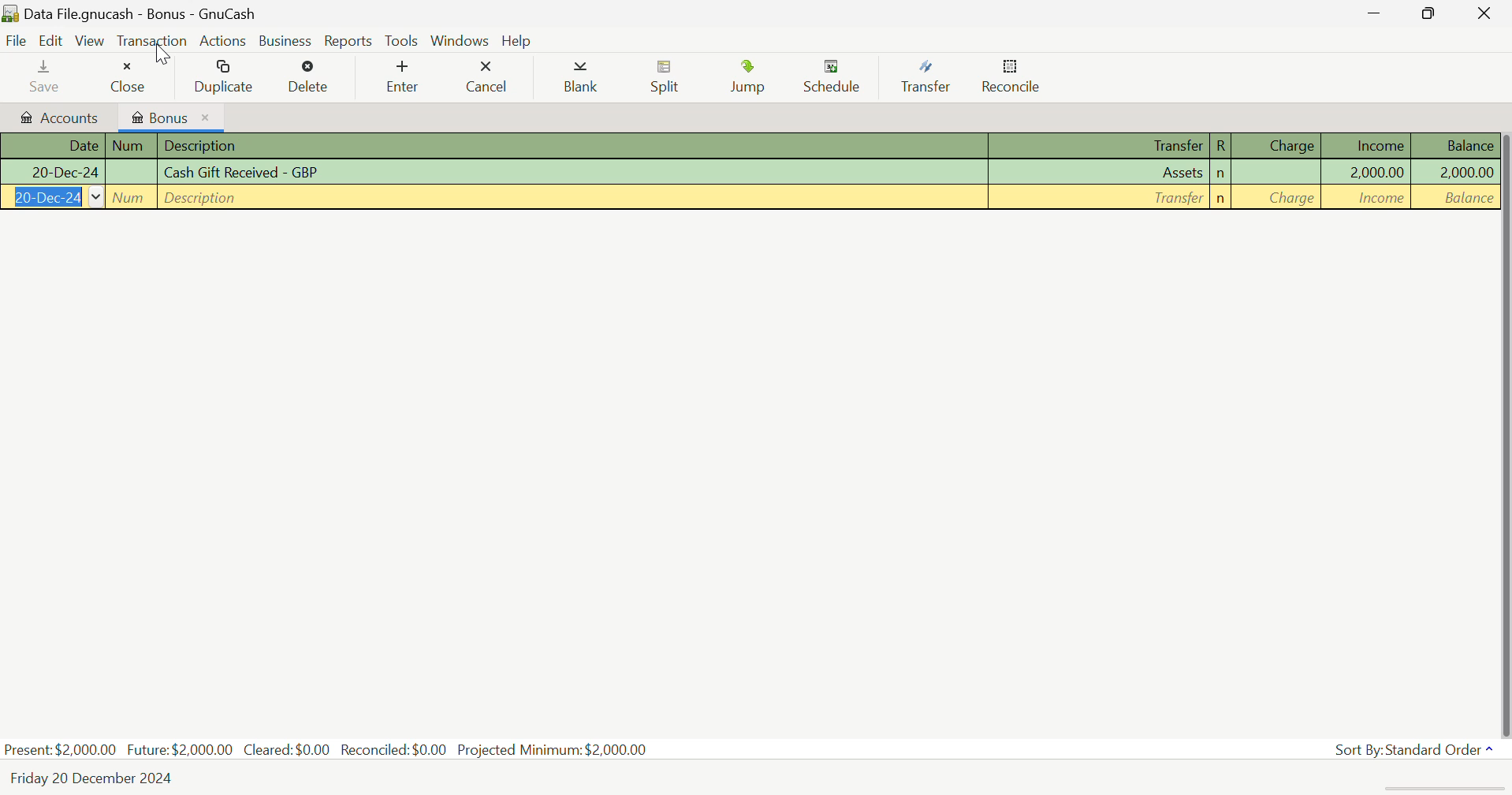 The width and height of the screenshot is (1512, 795). I want to click on Reconciled, so click(397, 748).